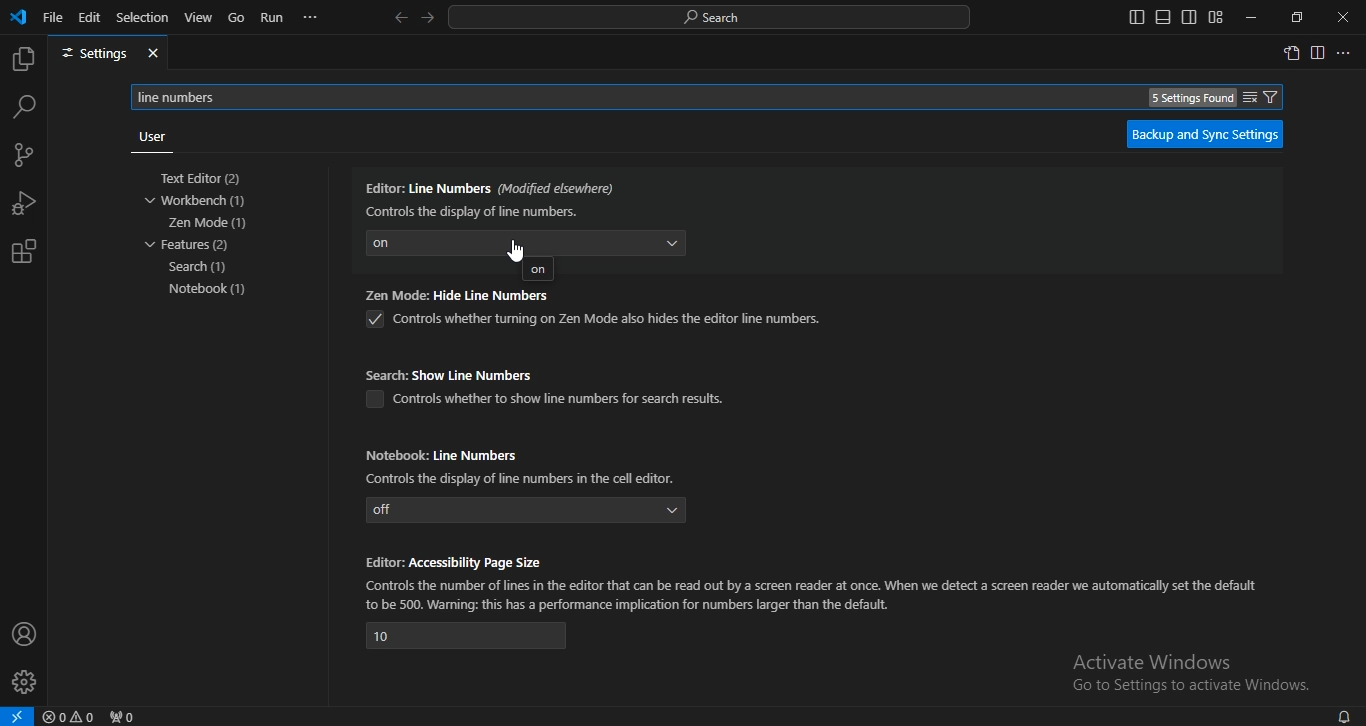 This screenshot has width=1366, height=726. I want to click on explorer, so click(22, 60).